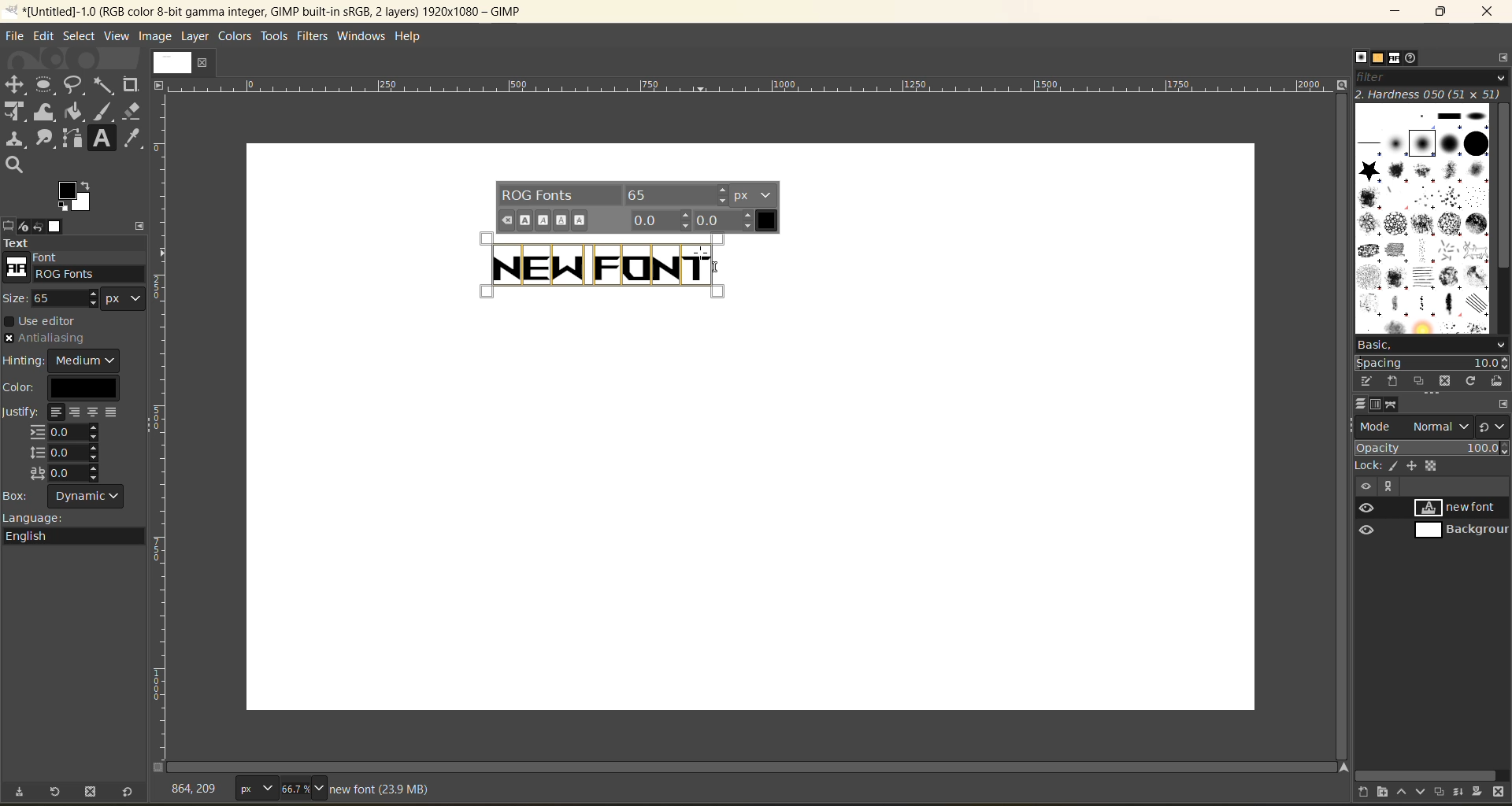  I want to click on lock pixel, position and alpha, so click(1431, 467).